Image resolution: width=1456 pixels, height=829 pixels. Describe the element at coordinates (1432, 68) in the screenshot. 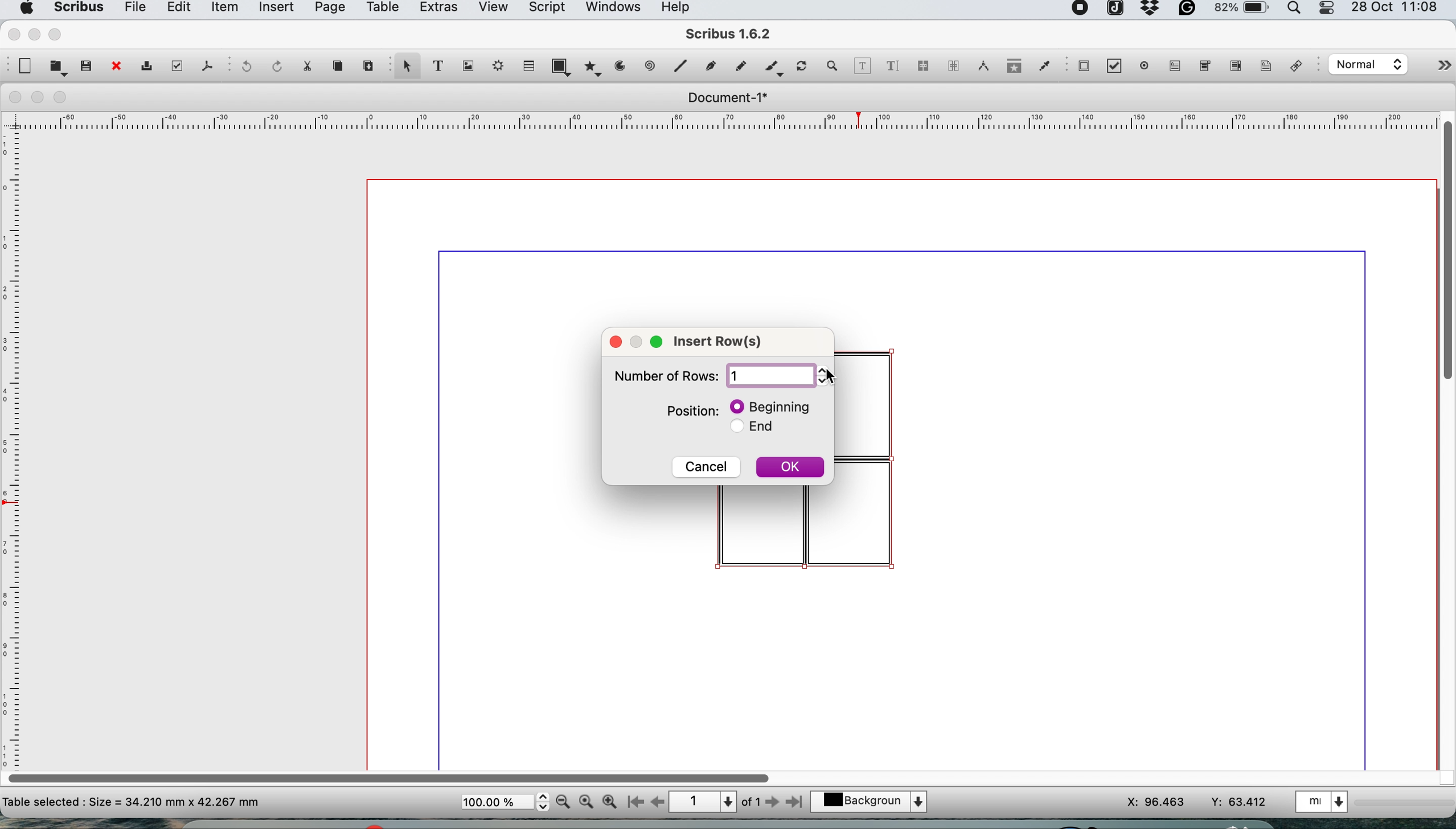

I see `more options` at that location.